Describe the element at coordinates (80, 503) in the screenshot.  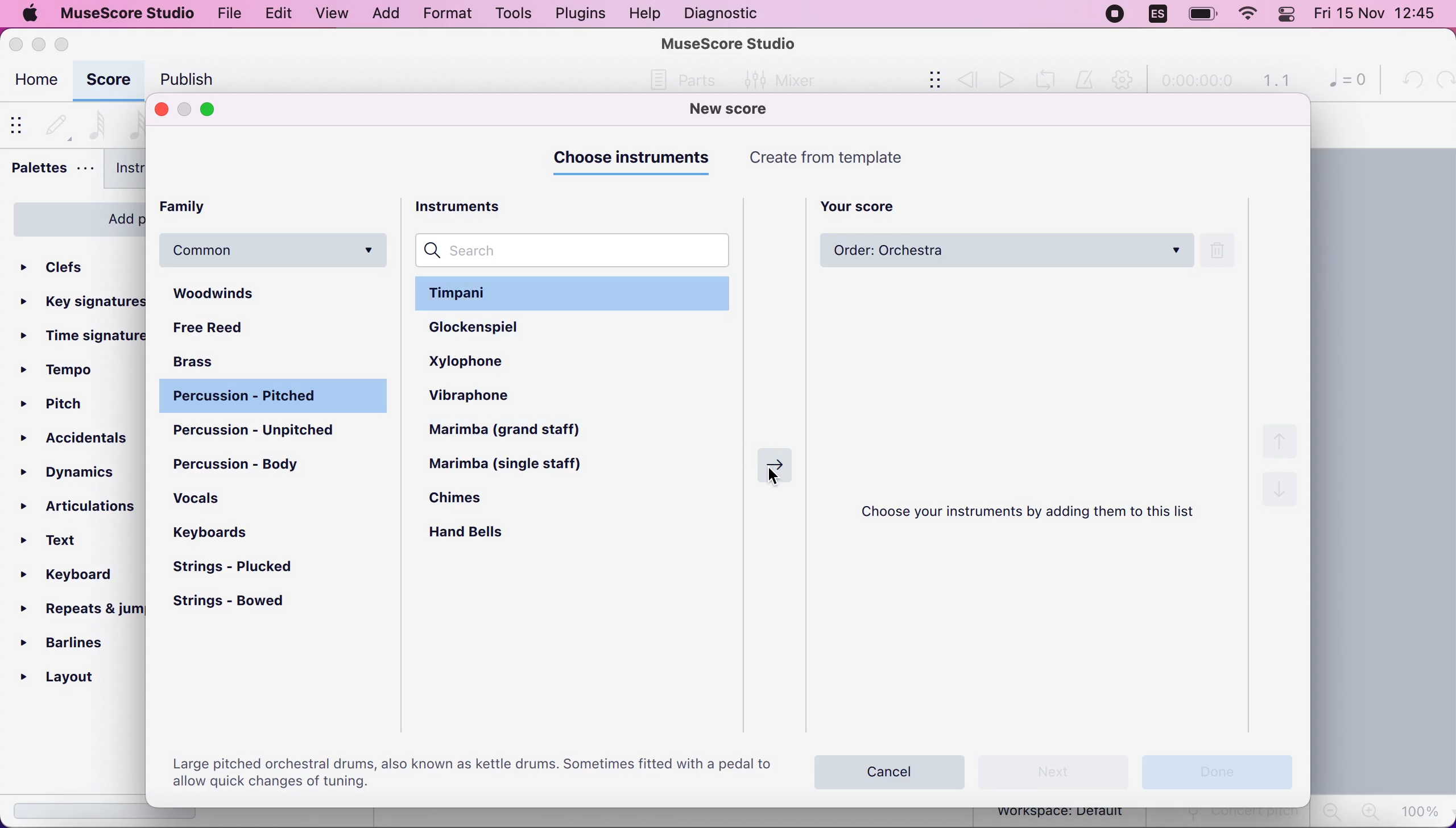
I see `articulations` at that location.